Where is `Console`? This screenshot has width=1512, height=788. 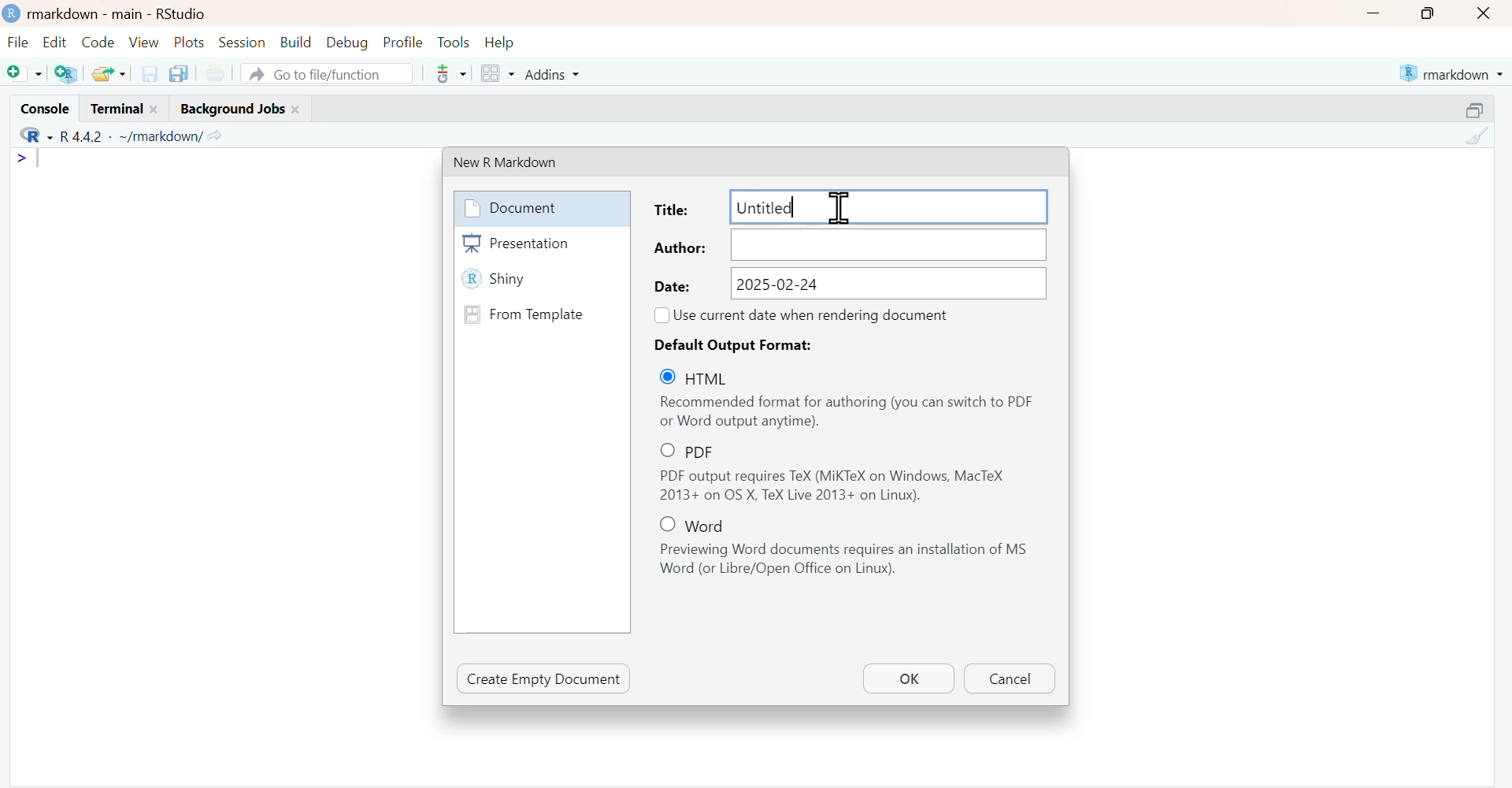 Console is located at coordinates (43, 107).